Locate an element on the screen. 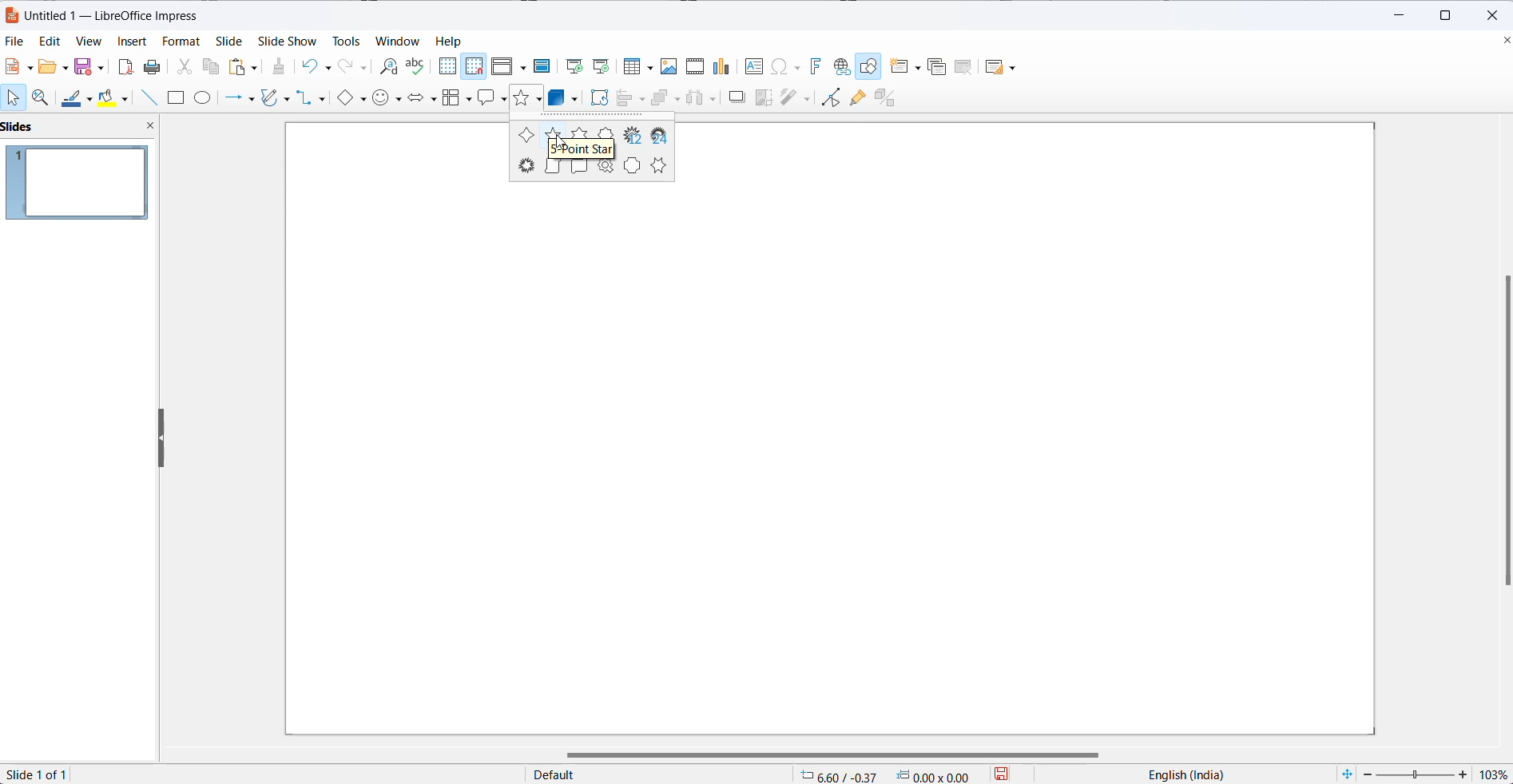 This screenshot has height=784, width=1513. Show draw function is located at coordinates (870, 66).